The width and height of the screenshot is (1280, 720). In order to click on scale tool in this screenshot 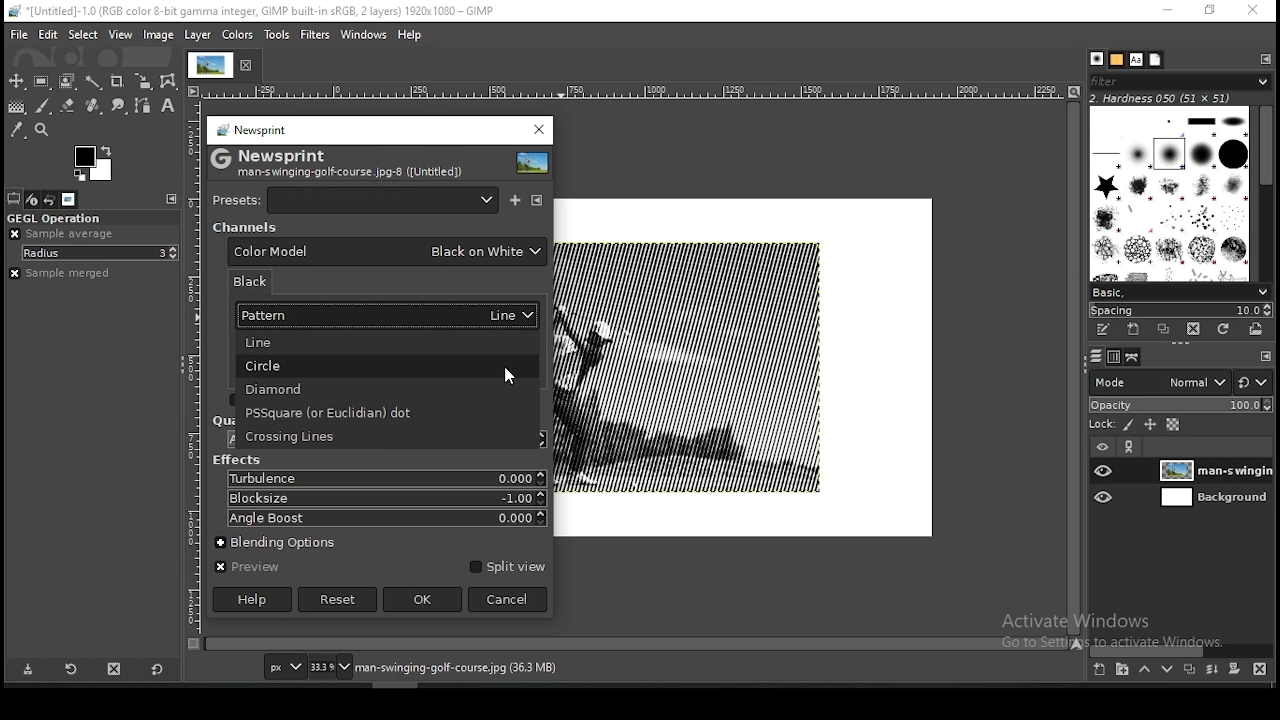, I will do `click(144, 82)`.